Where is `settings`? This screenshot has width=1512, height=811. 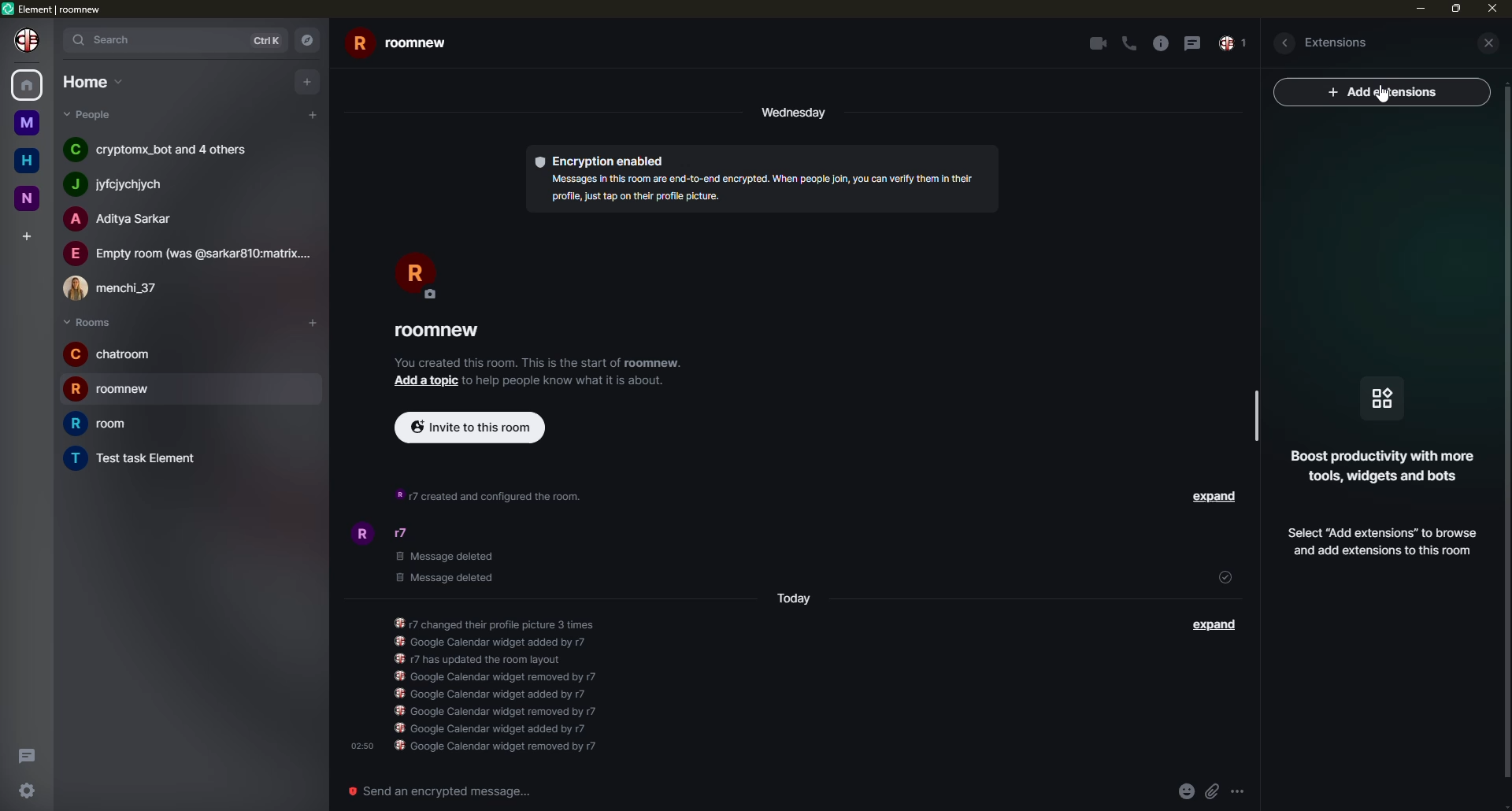
settings is located at coordinates (31, 794).